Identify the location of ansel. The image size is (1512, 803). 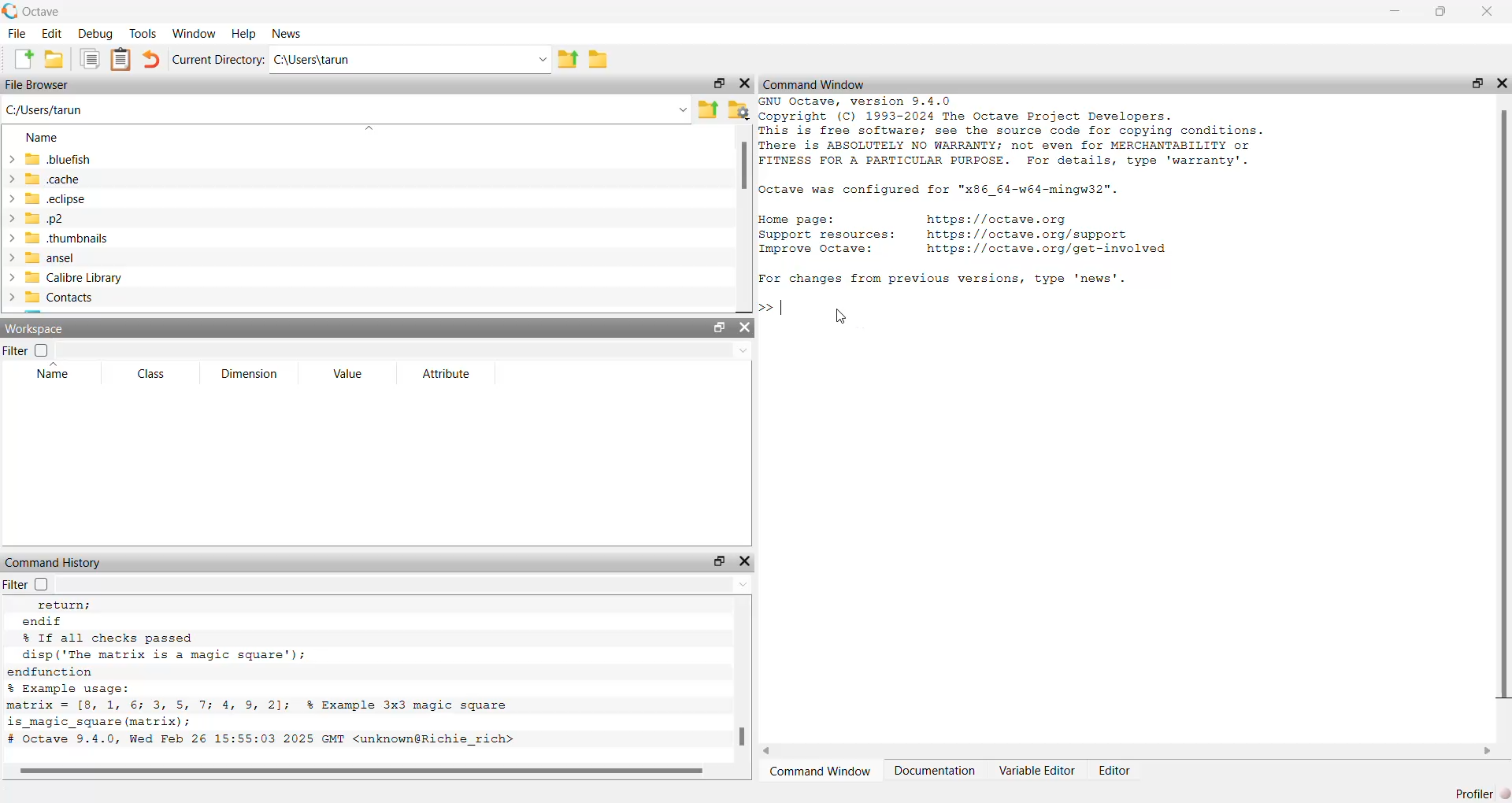
(40, 257).